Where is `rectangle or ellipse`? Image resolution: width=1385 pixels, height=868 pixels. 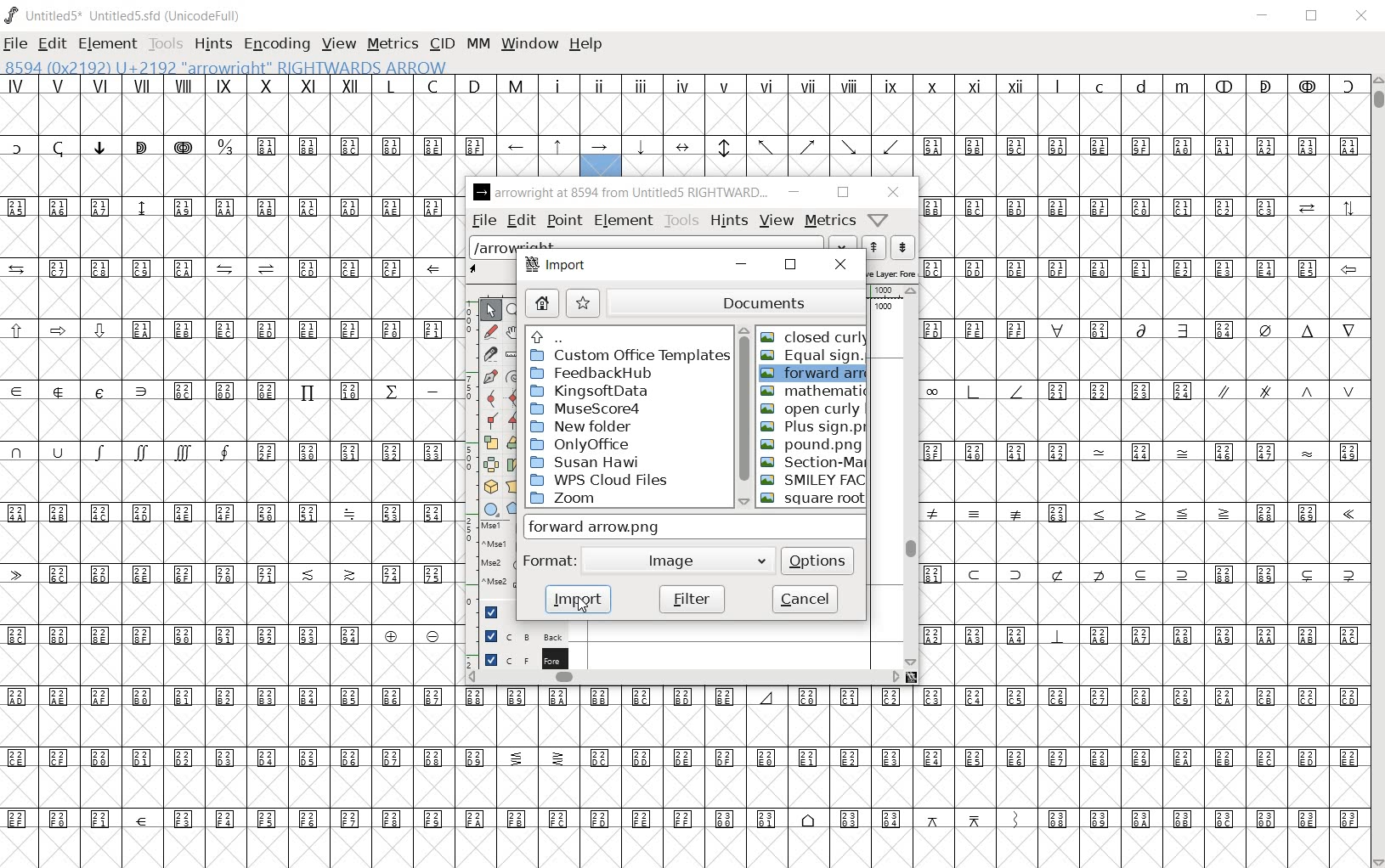
rectangle or ellipse is located at coordinates (491, 509).